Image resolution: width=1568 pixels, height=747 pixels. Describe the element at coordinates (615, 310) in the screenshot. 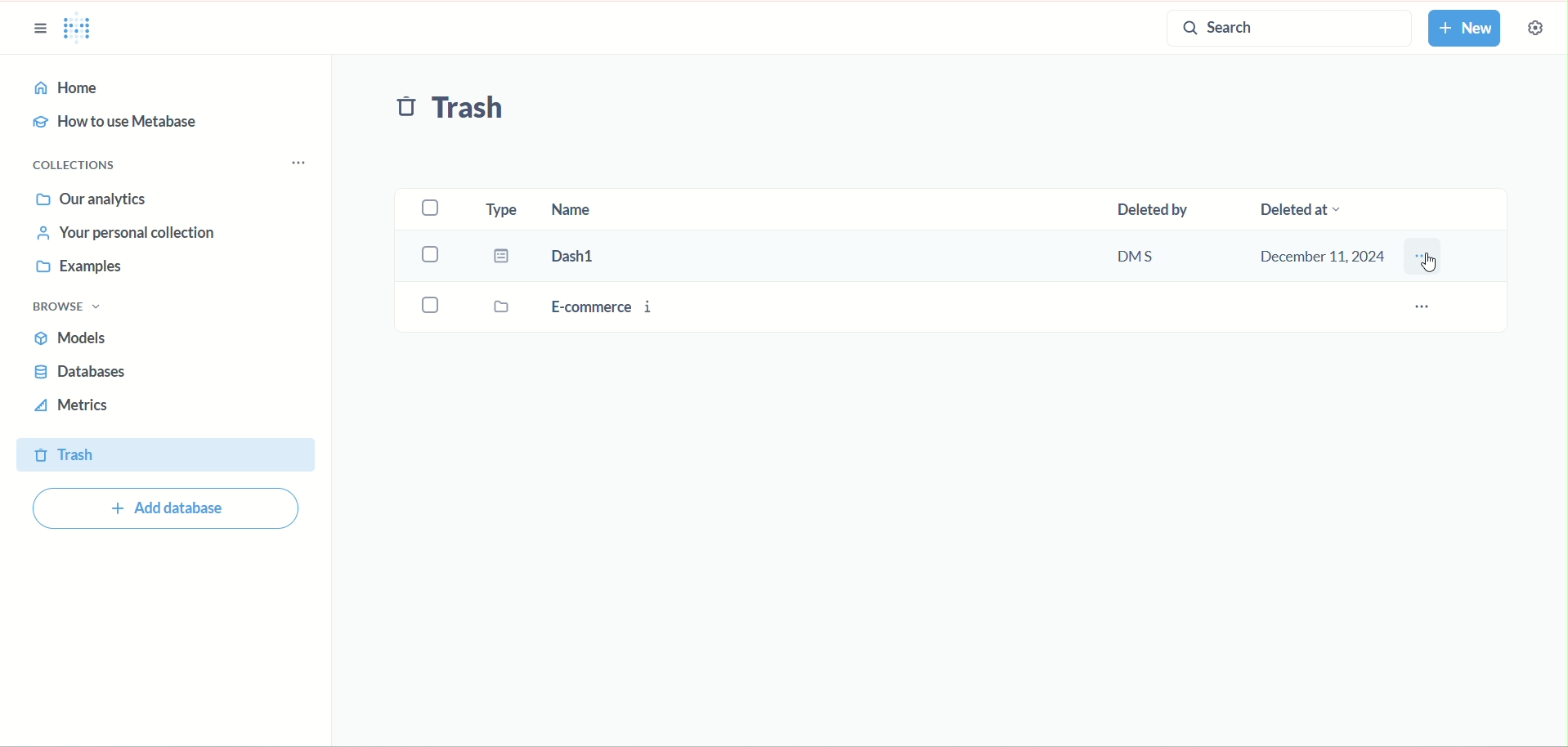

I see `E-commerce i` at that location.